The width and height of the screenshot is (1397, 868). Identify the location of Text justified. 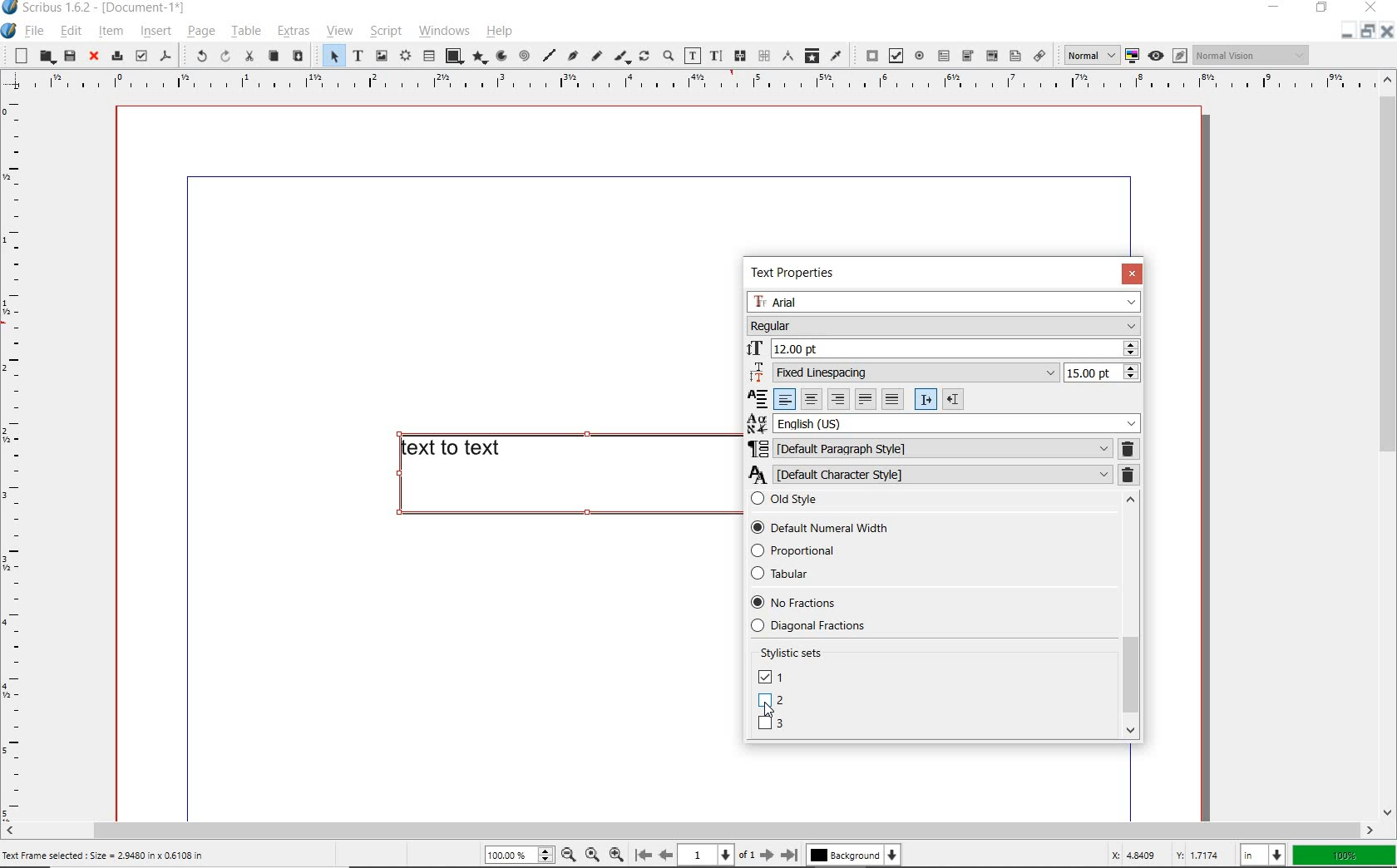
(866, 398).